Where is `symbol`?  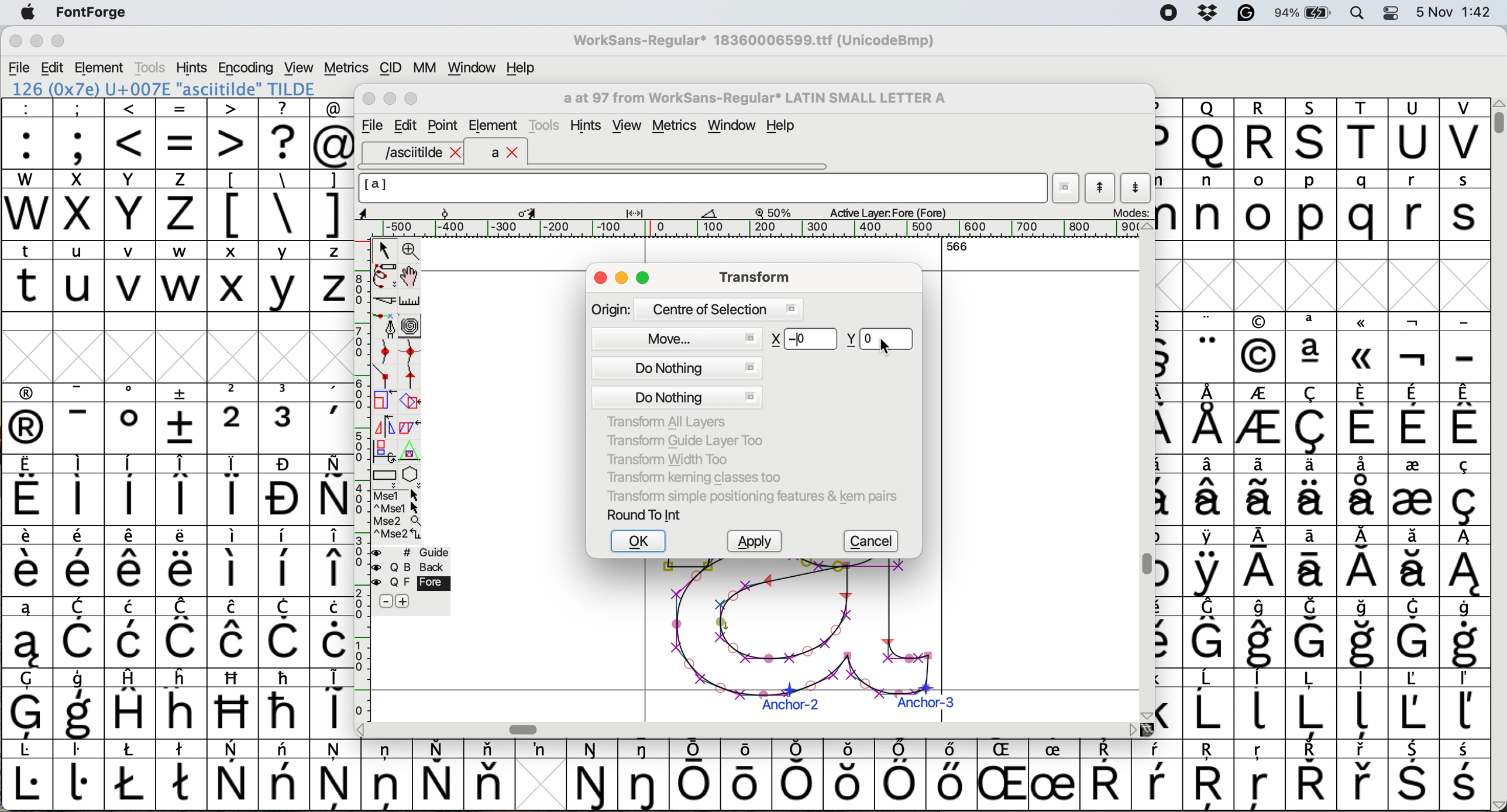 symbol is located at coordinates (1466, 776).